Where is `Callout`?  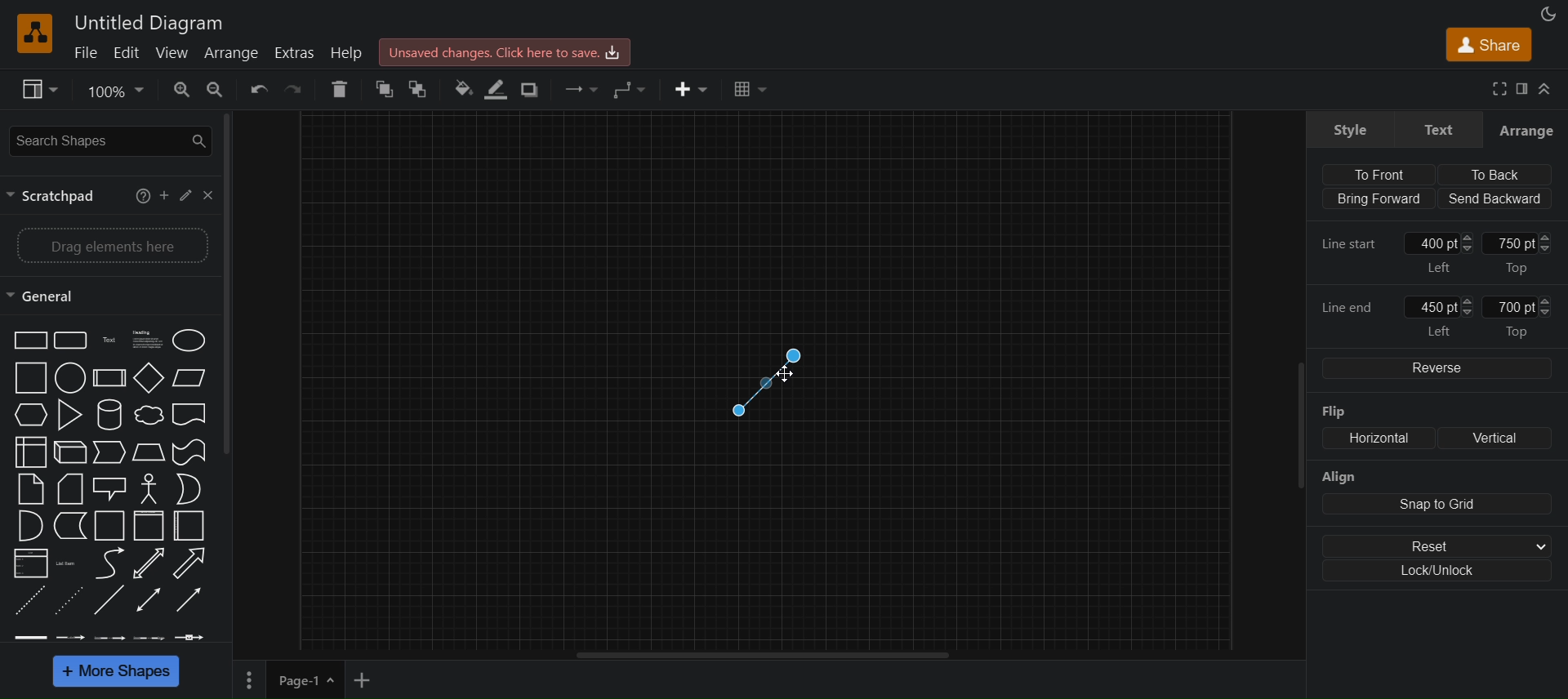 Callout is located at coordinates (109, 488).